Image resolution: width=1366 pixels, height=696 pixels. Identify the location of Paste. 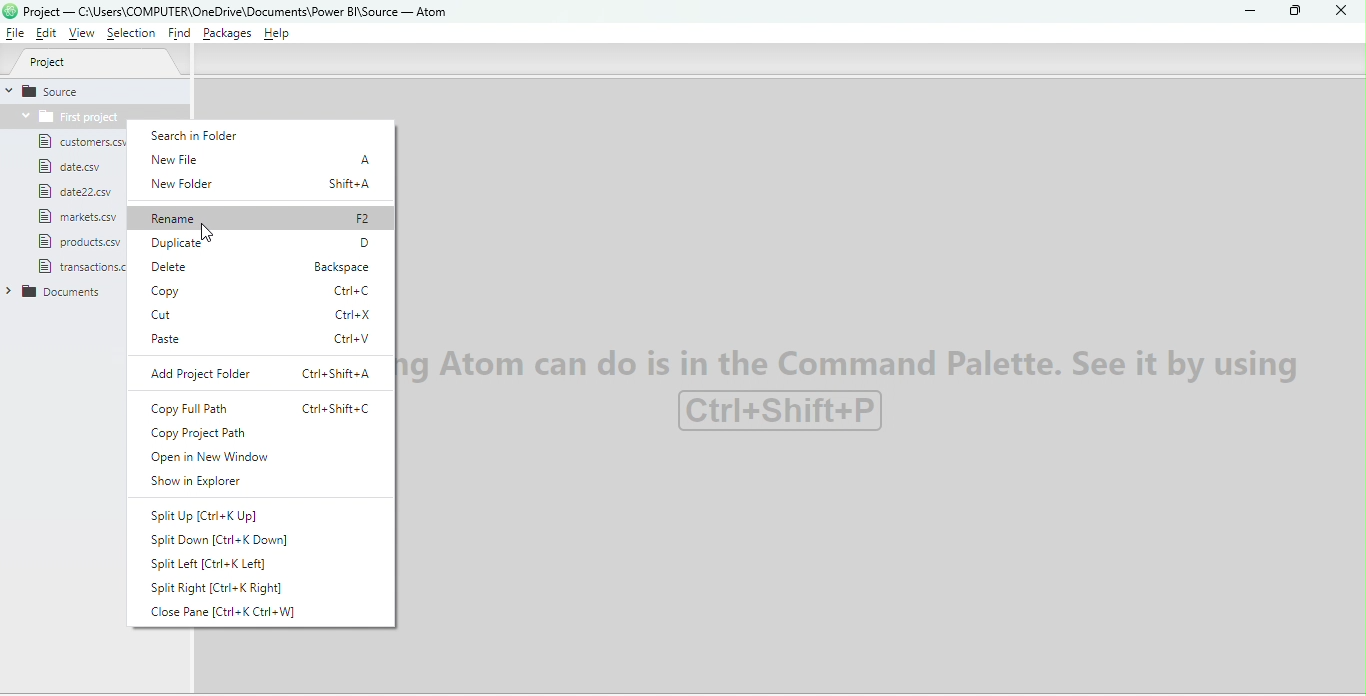
(271, 341).